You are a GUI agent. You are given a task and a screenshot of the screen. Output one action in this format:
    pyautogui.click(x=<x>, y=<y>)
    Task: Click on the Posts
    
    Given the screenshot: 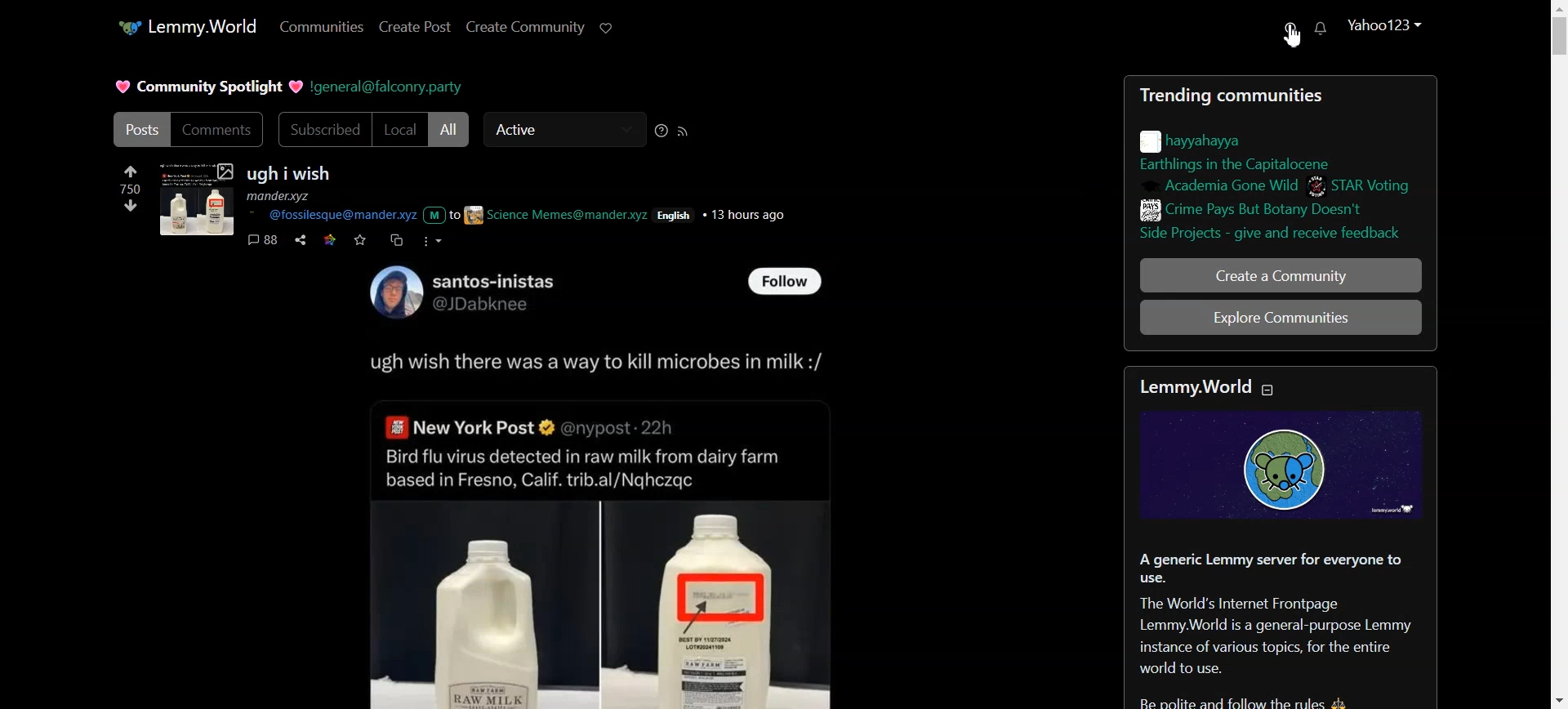 What is the action you would take?
    pyautogui.click(x=1280, y=164)
    